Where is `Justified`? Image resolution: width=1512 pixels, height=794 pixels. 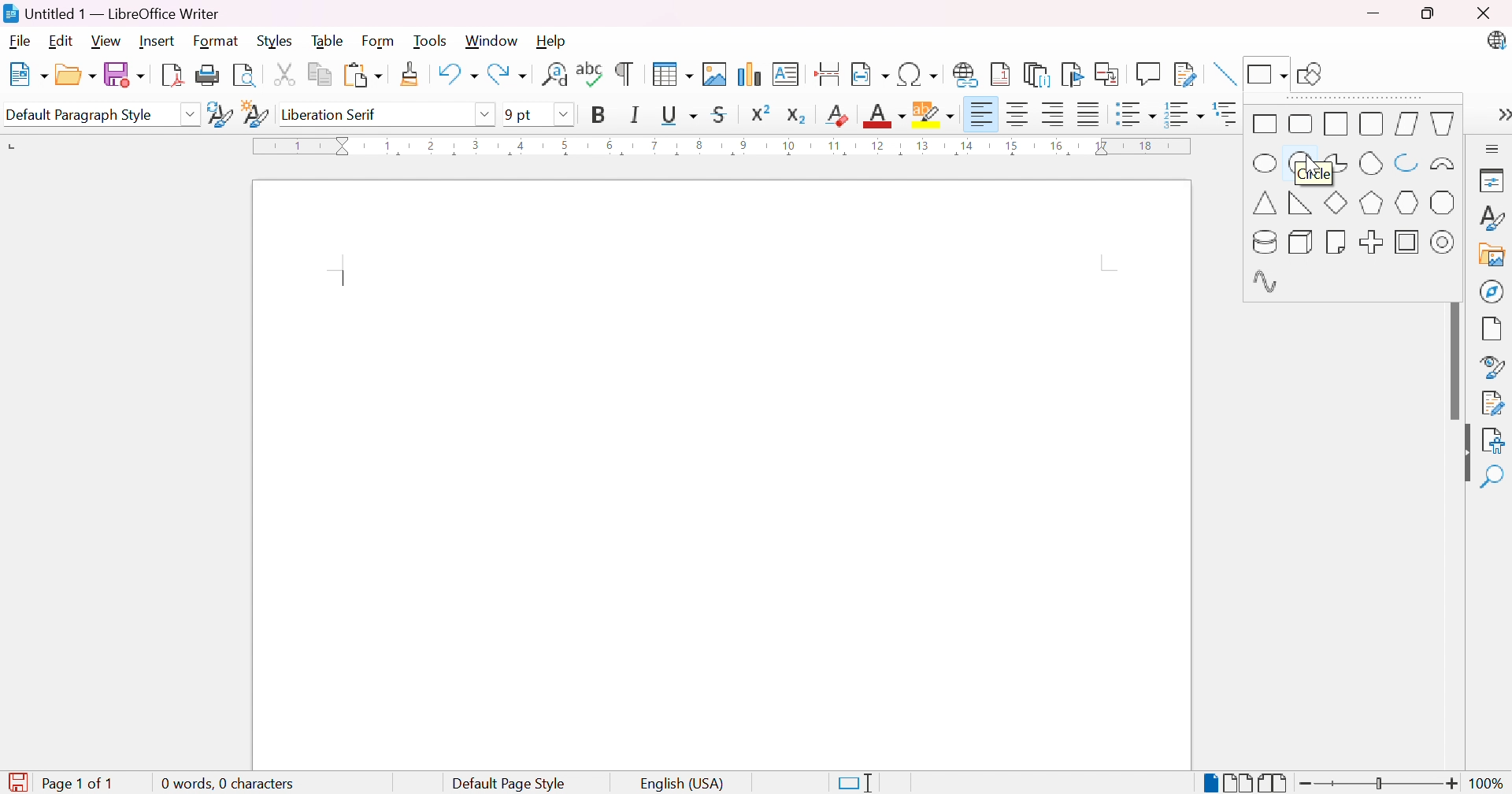 Justified is located at coordinates (1089, 114).